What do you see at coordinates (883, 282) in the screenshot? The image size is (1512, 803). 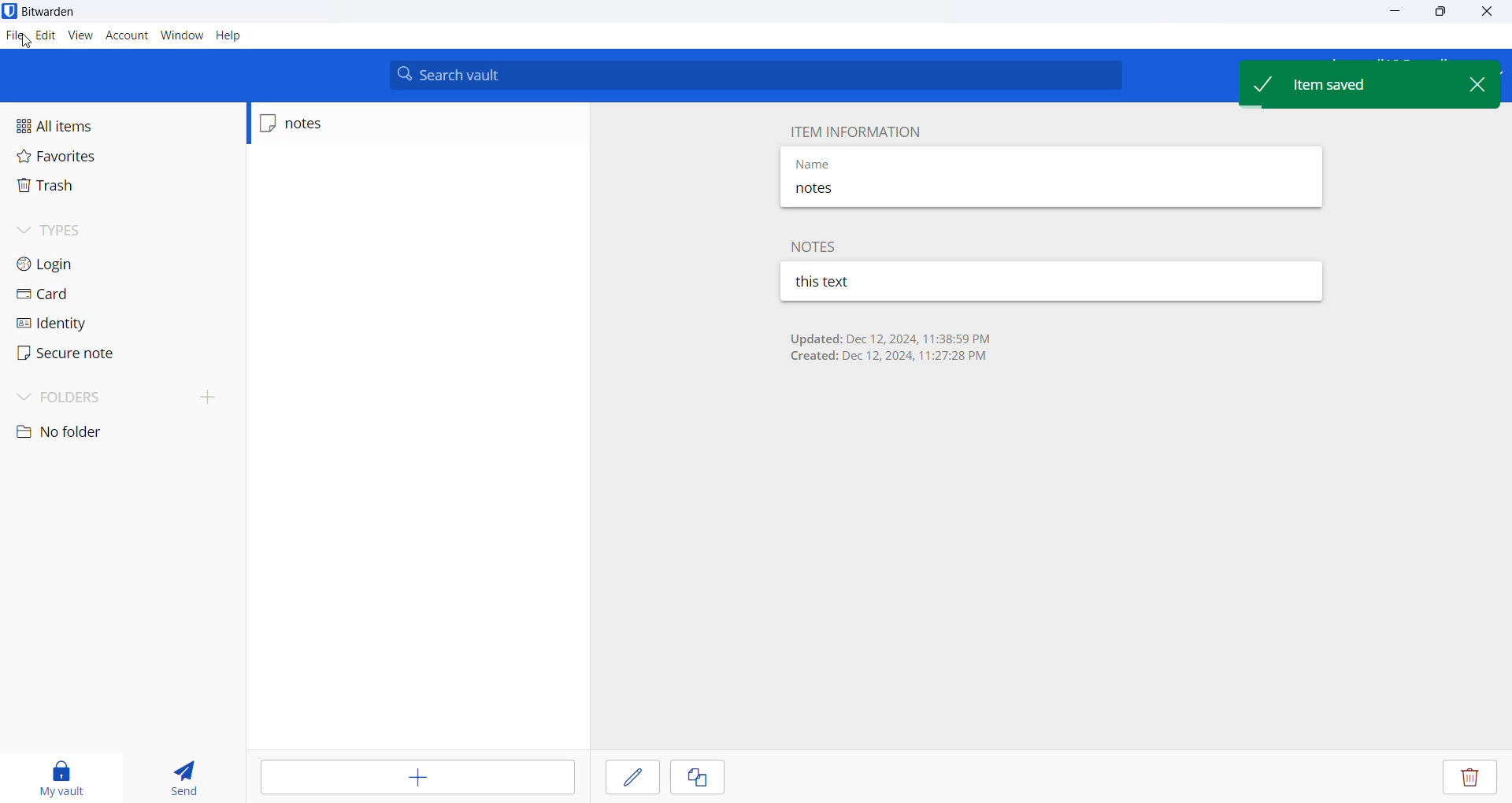 I see `this text` at bounding box center [883, 282].